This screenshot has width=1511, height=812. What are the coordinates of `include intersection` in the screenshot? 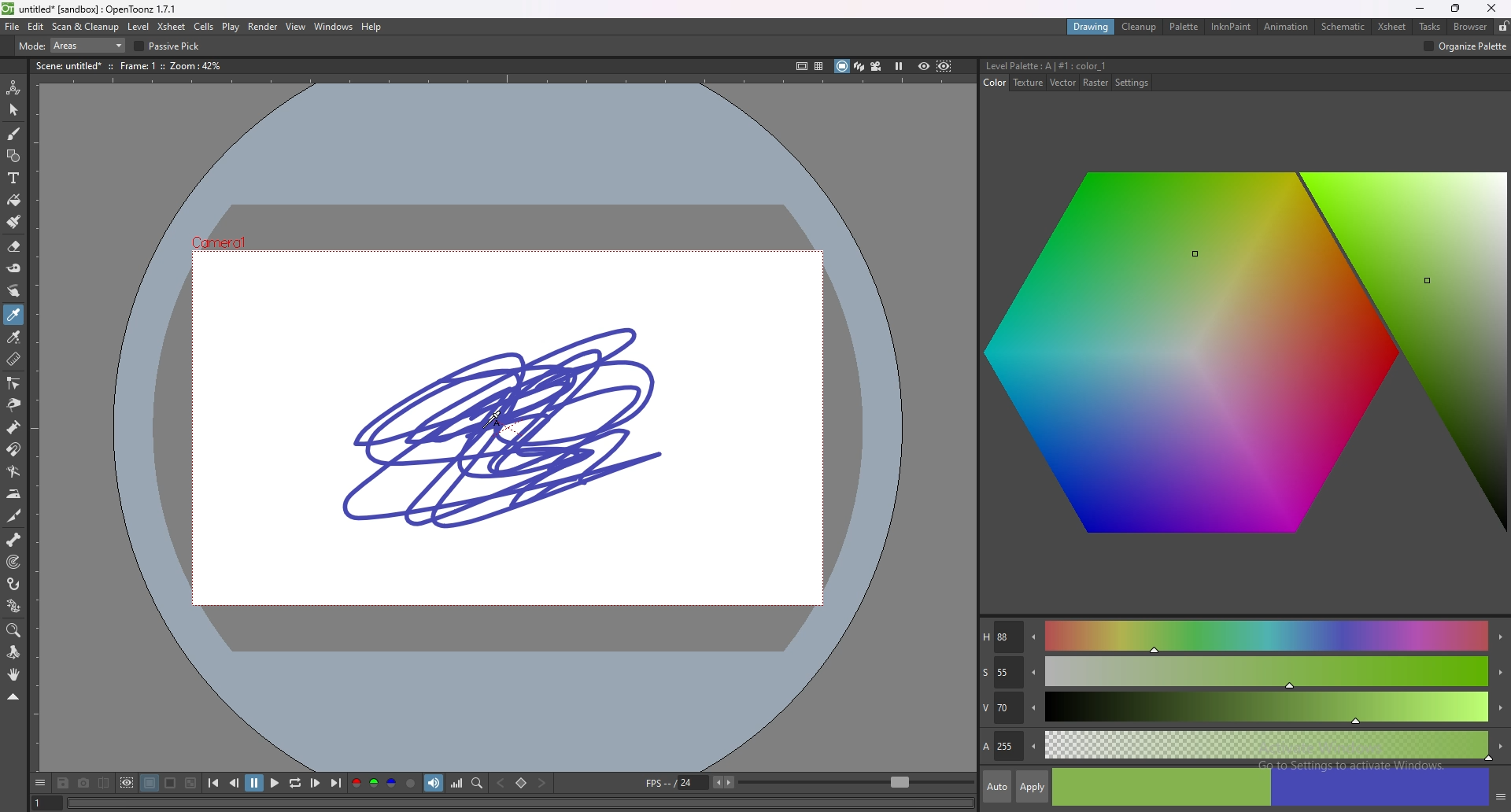 It's located at (359, 46).